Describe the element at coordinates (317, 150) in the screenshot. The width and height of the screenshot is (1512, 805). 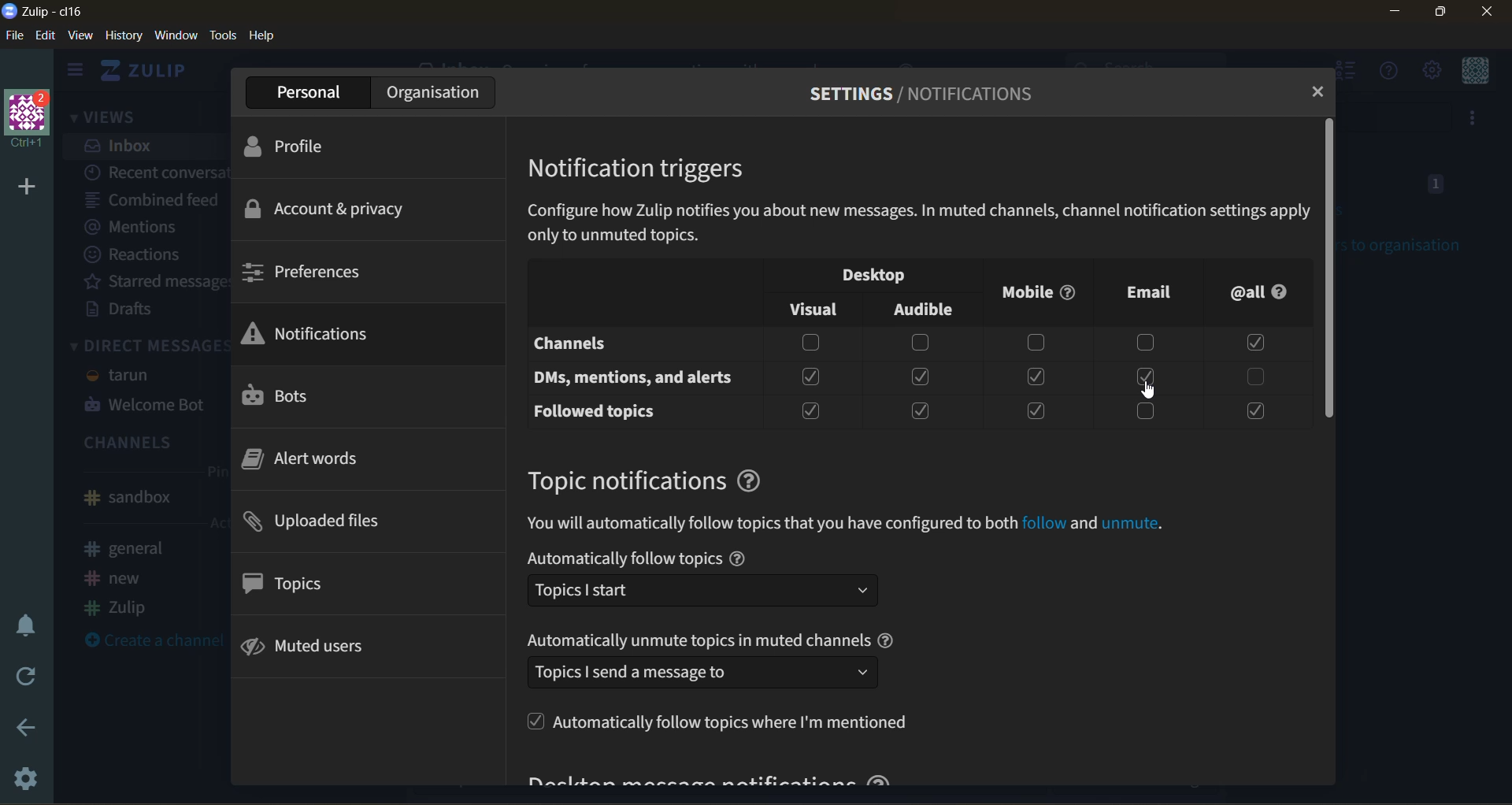
I see `profile` at that location.